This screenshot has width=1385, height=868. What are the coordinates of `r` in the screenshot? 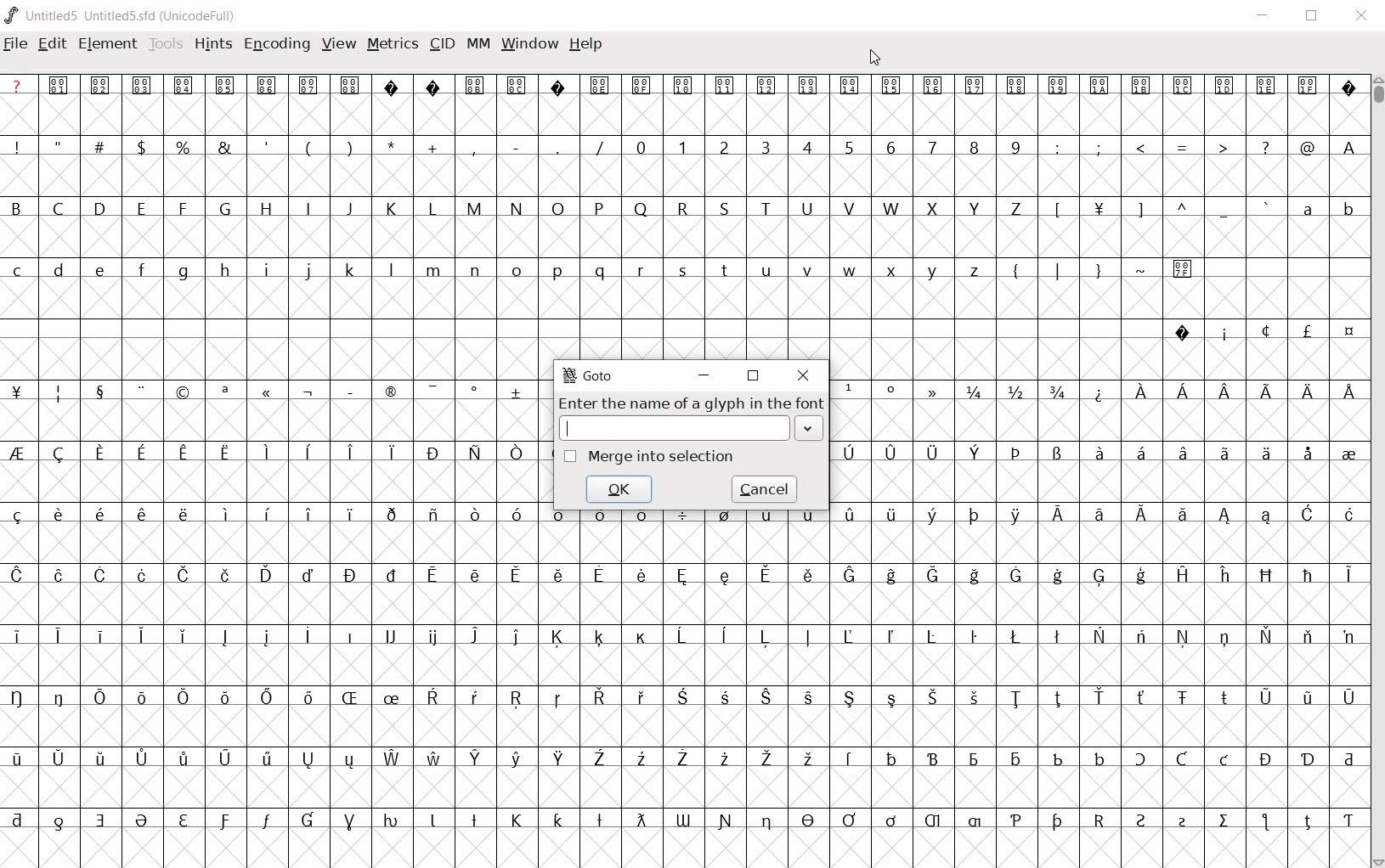 It's located at (640, 268).